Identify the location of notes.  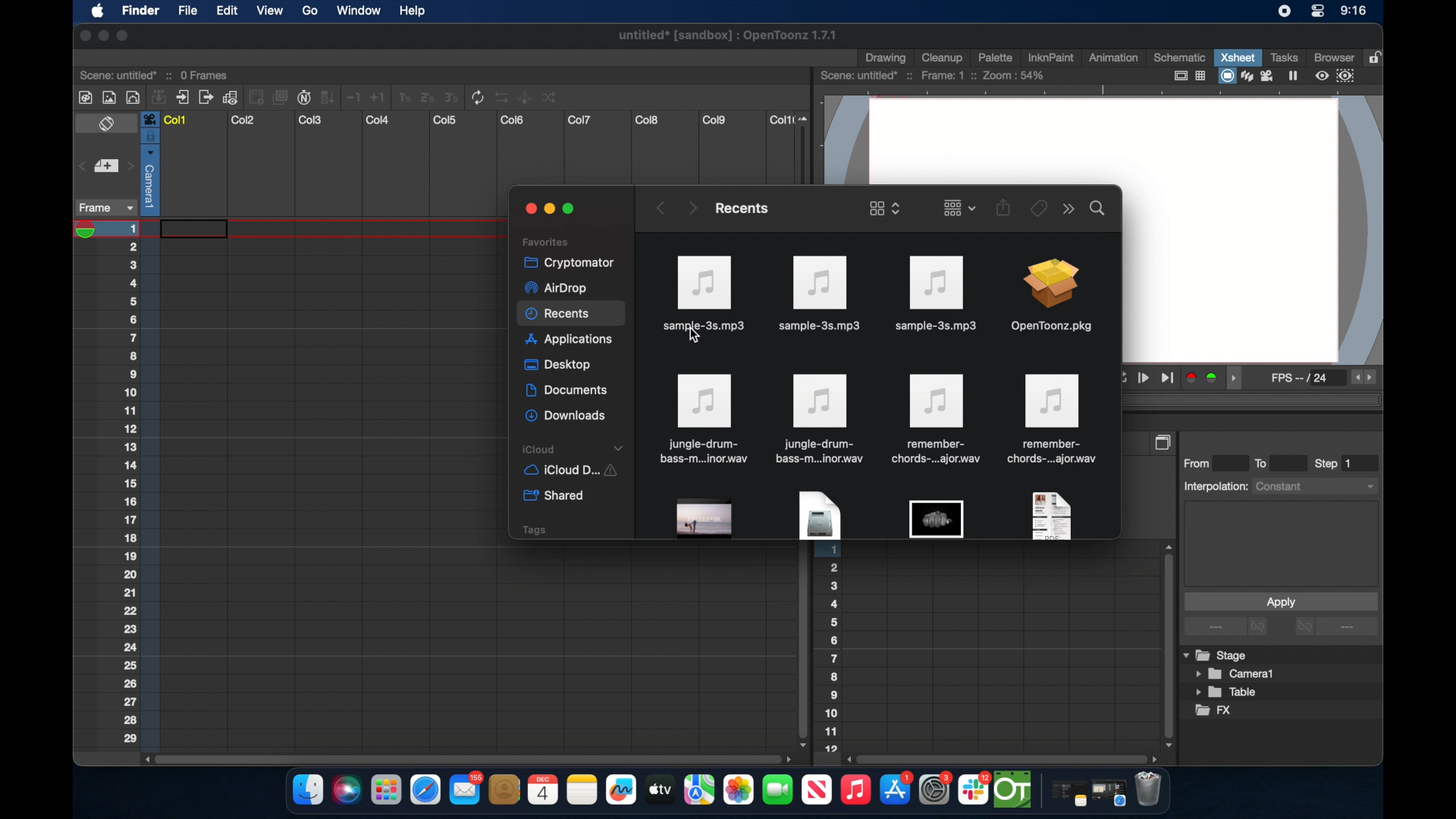
(582, 790).